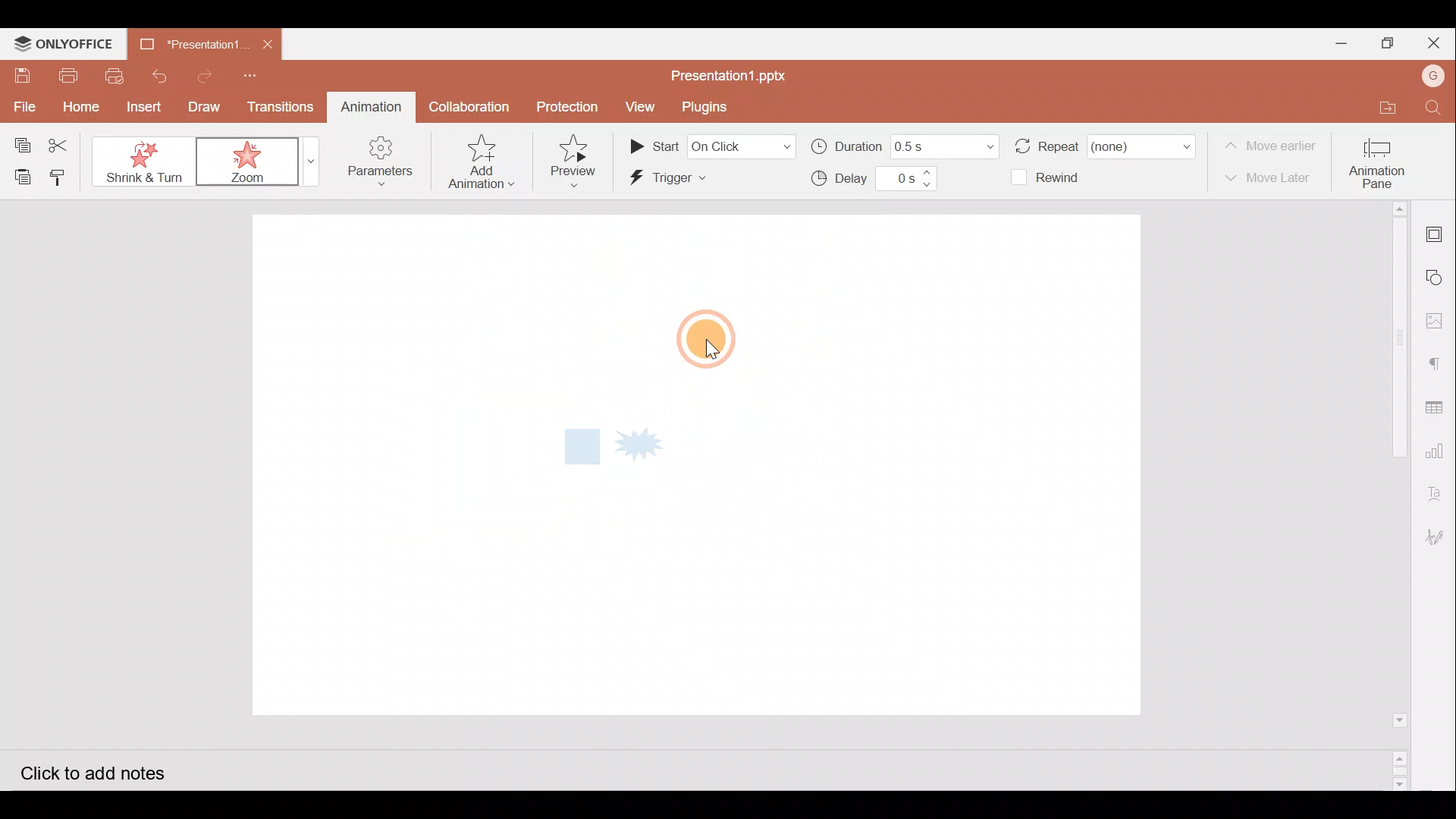 The image size is (1456, 819). I want to click on Open file location, so click(1377, 108).